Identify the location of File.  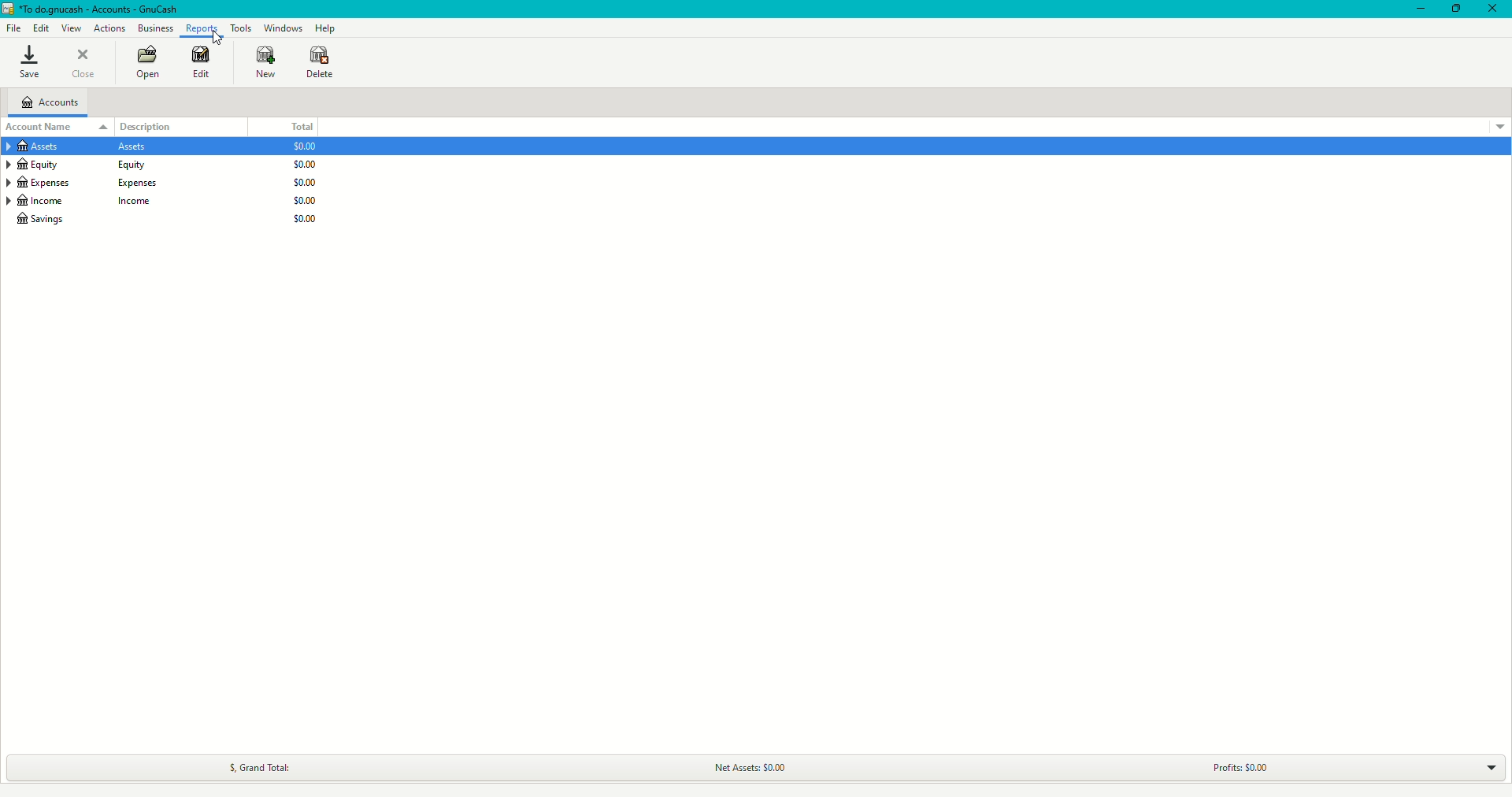
(17, 28).